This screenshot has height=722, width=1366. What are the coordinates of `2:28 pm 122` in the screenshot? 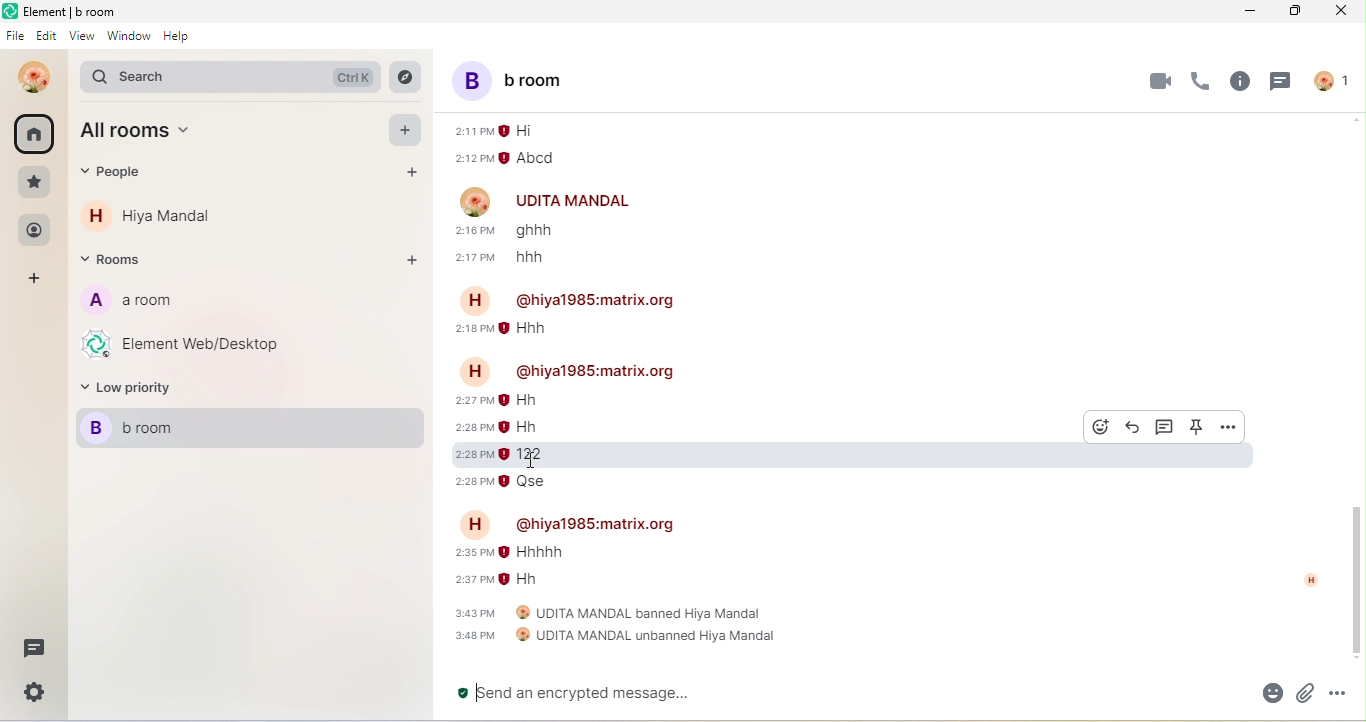 It's located at (482, 454).